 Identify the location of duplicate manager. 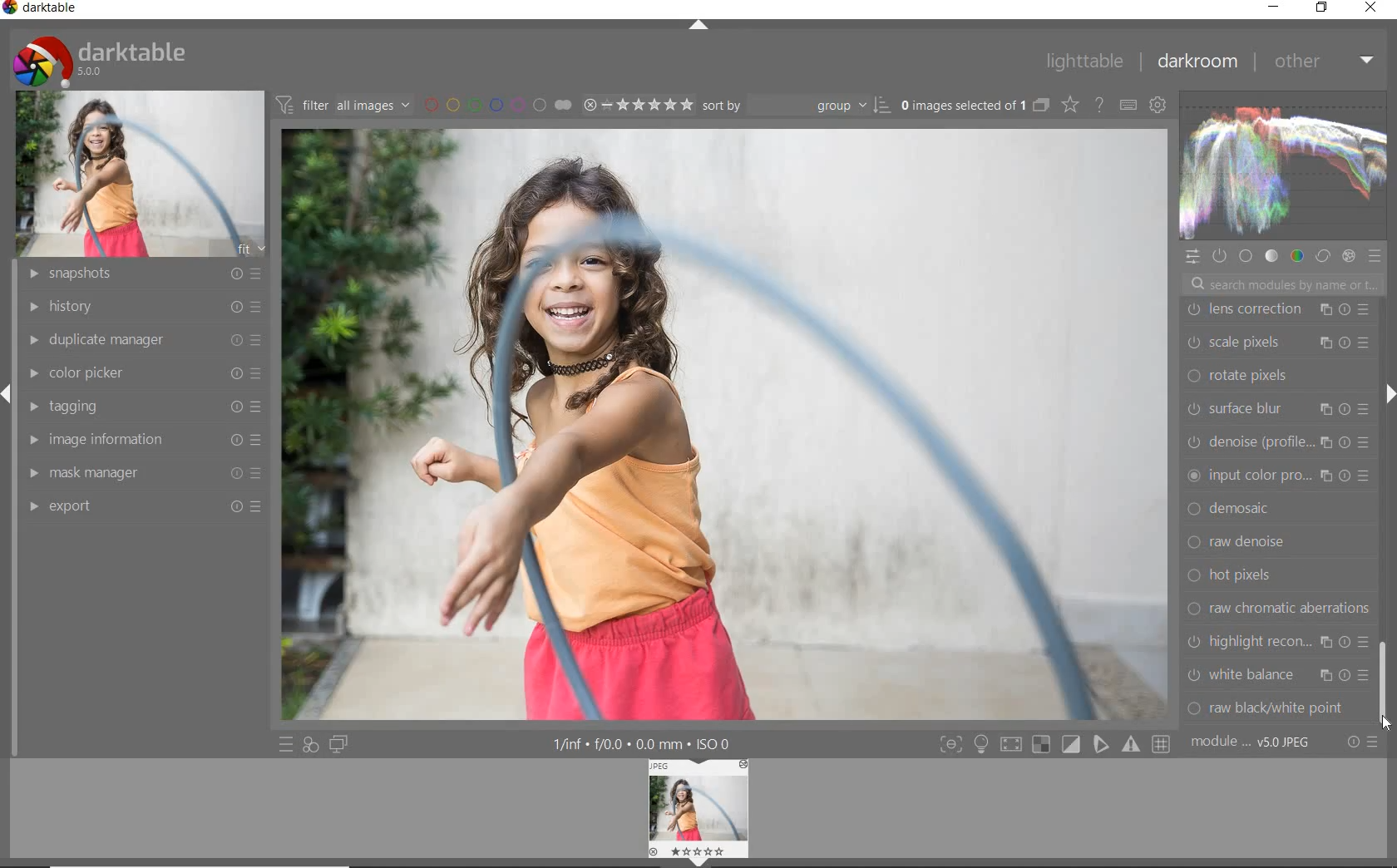
(141, 338).